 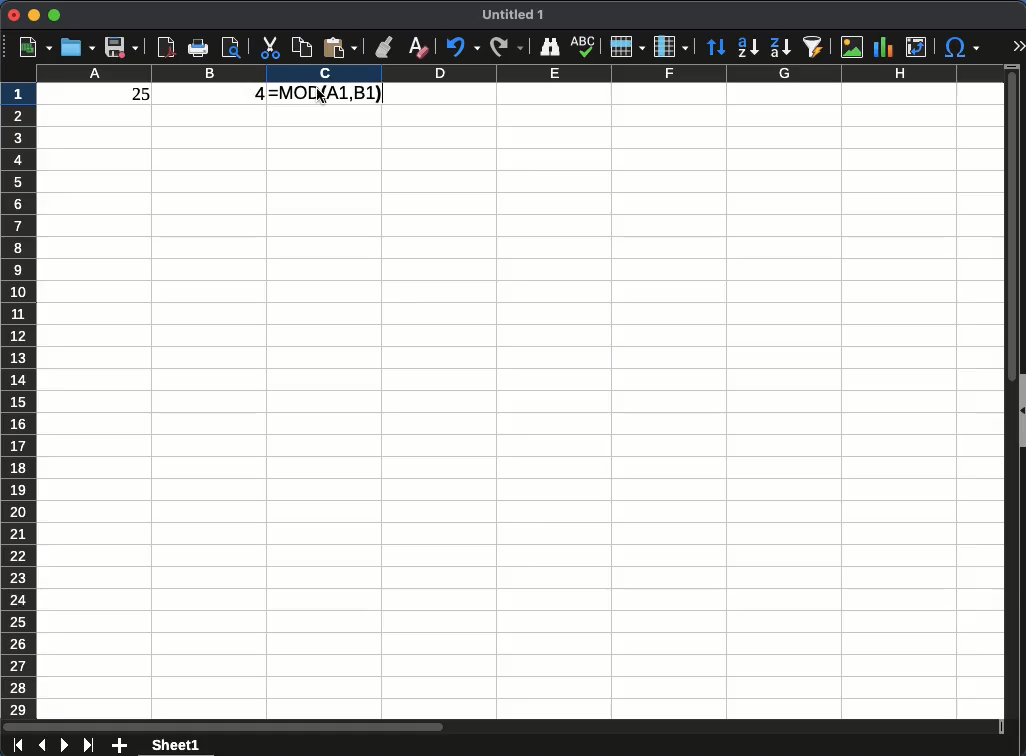 What do you see at coordinates (507, 48) in the screenshot?
I see `redo` at bounding box center [507, 48].